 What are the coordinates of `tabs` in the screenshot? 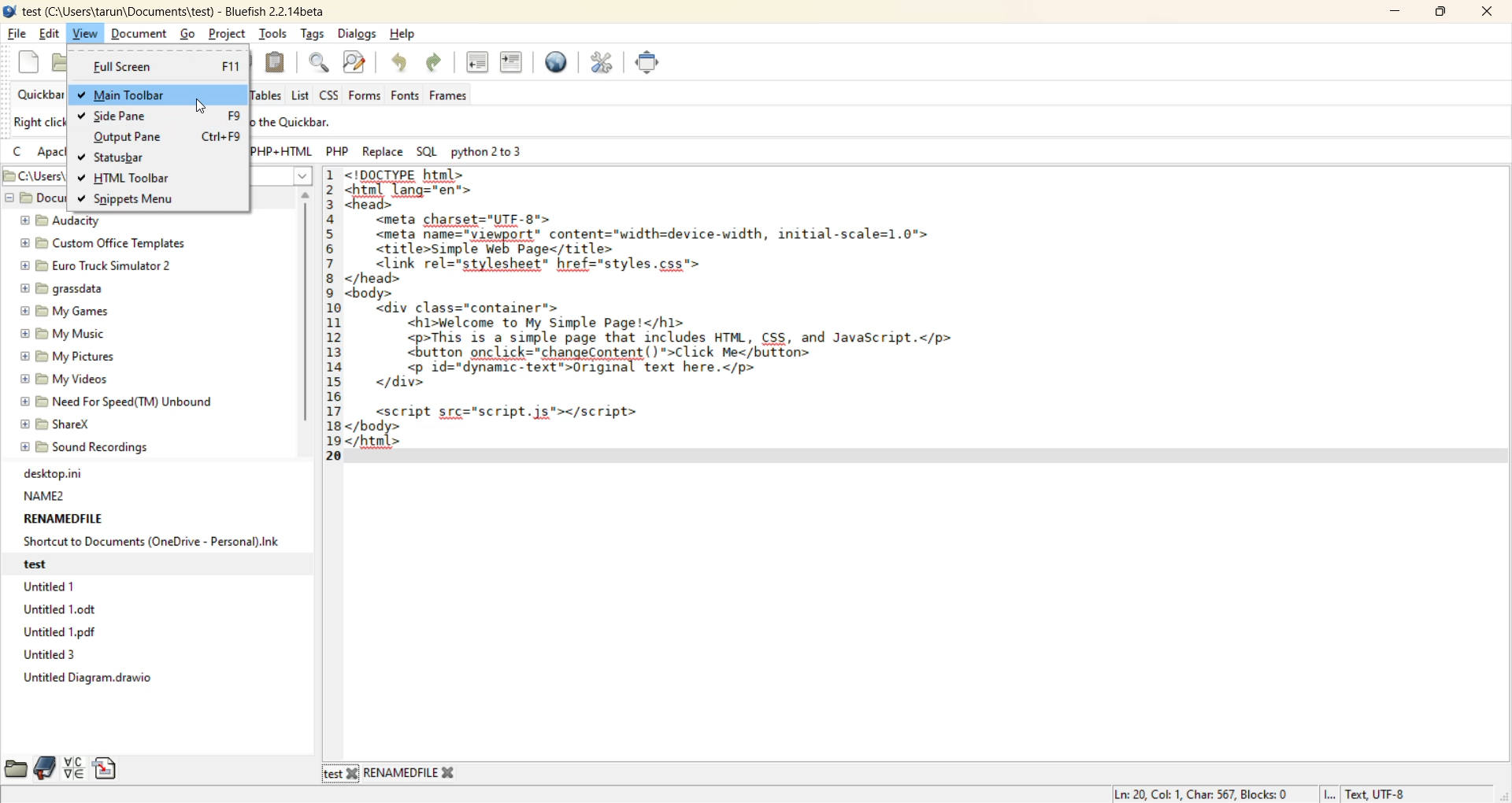 It's located at (391, 775).